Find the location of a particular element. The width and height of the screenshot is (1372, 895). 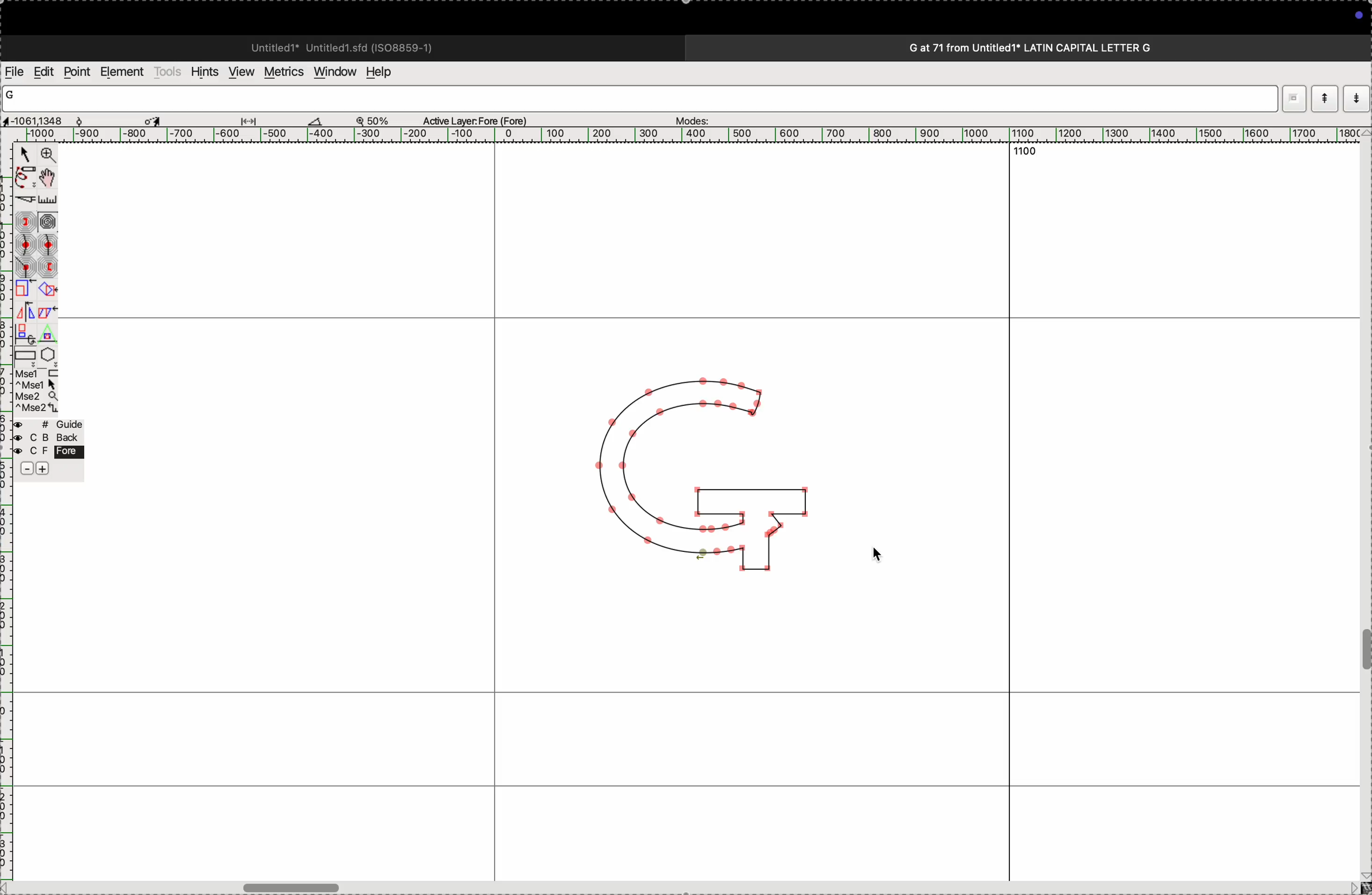

increase is located at coordinates (43, 468).